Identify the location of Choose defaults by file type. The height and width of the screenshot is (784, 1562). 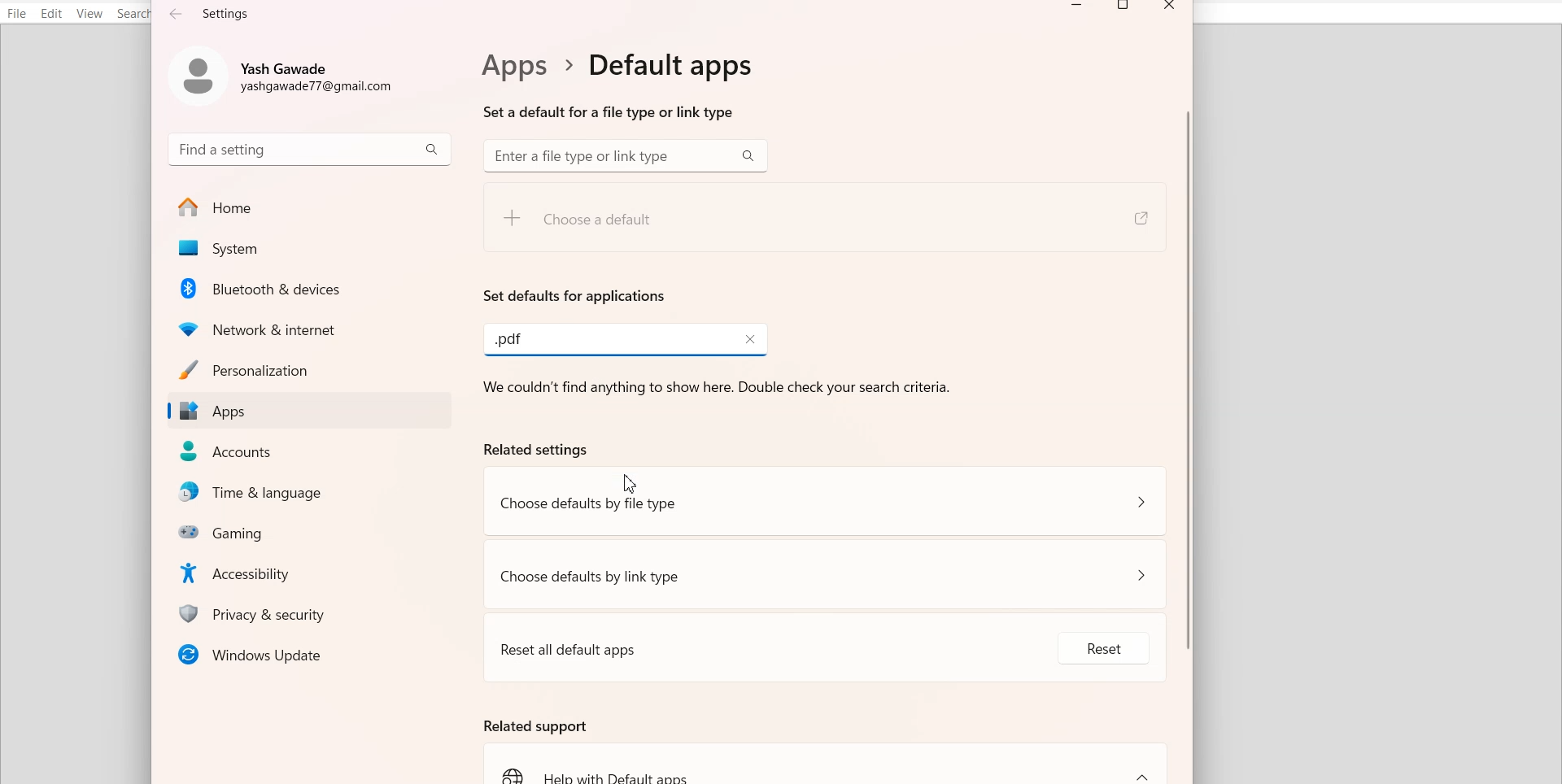
(827, 502).